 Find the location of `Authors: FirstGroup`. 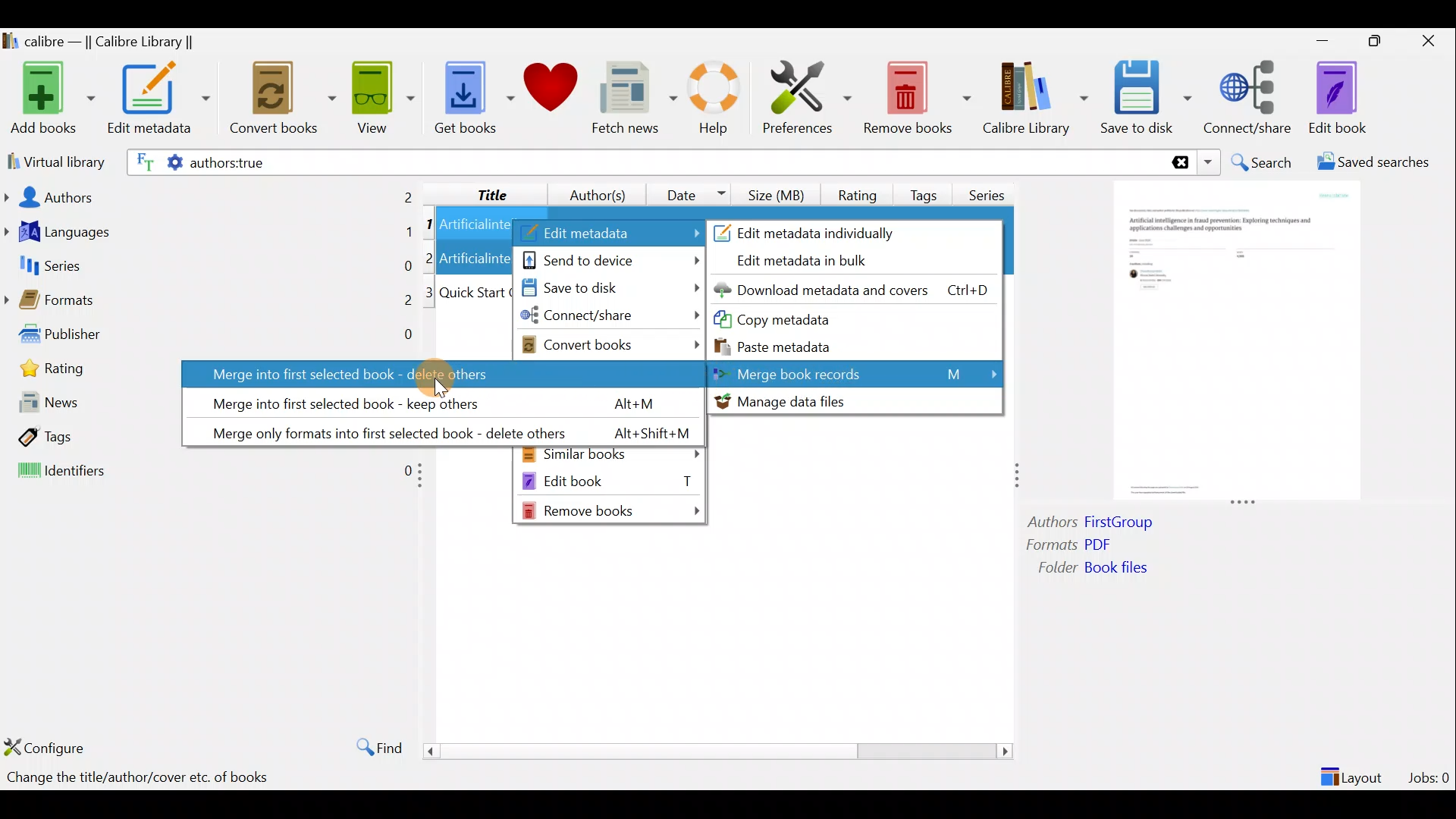

Authors: FirstGroup is located at coordinates (1095, 524).